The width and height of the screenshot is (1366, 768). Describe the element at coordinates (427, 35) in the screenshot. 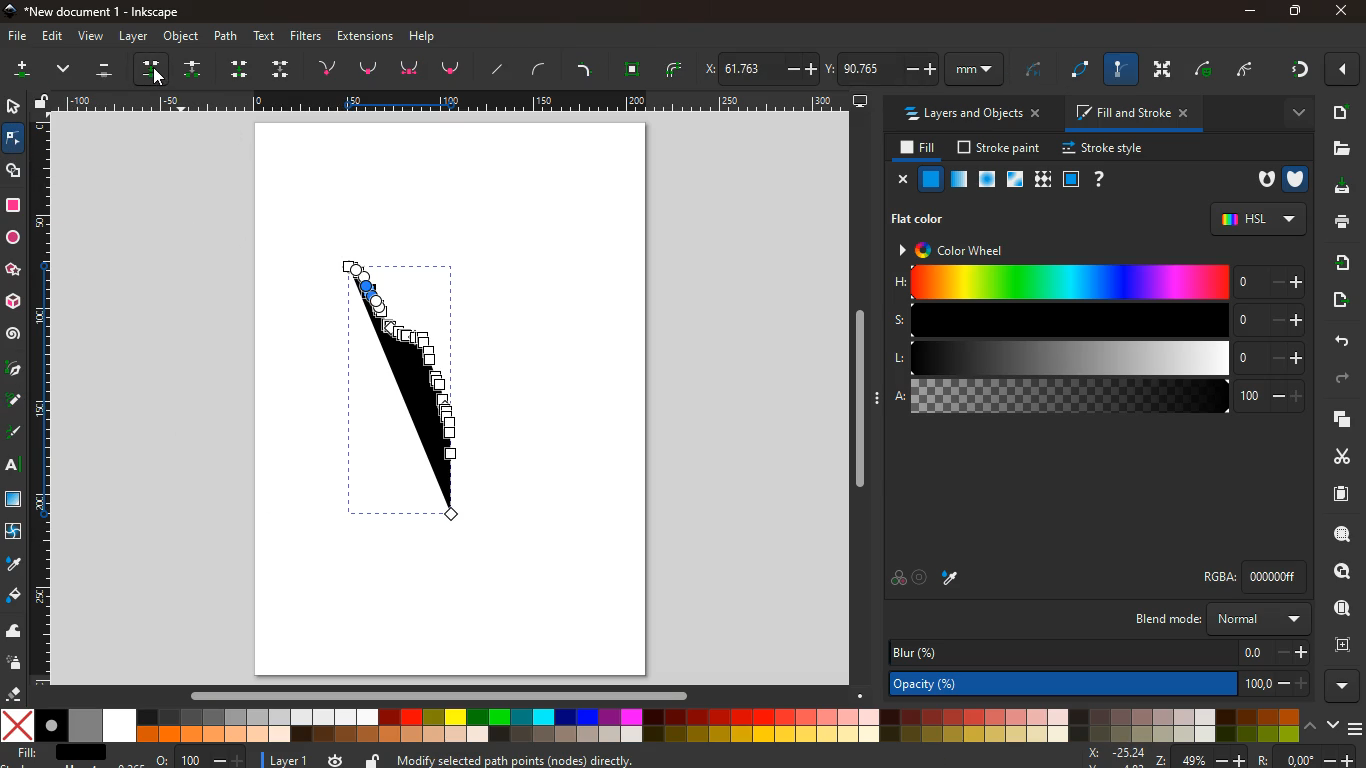

I see `Help` at that location.